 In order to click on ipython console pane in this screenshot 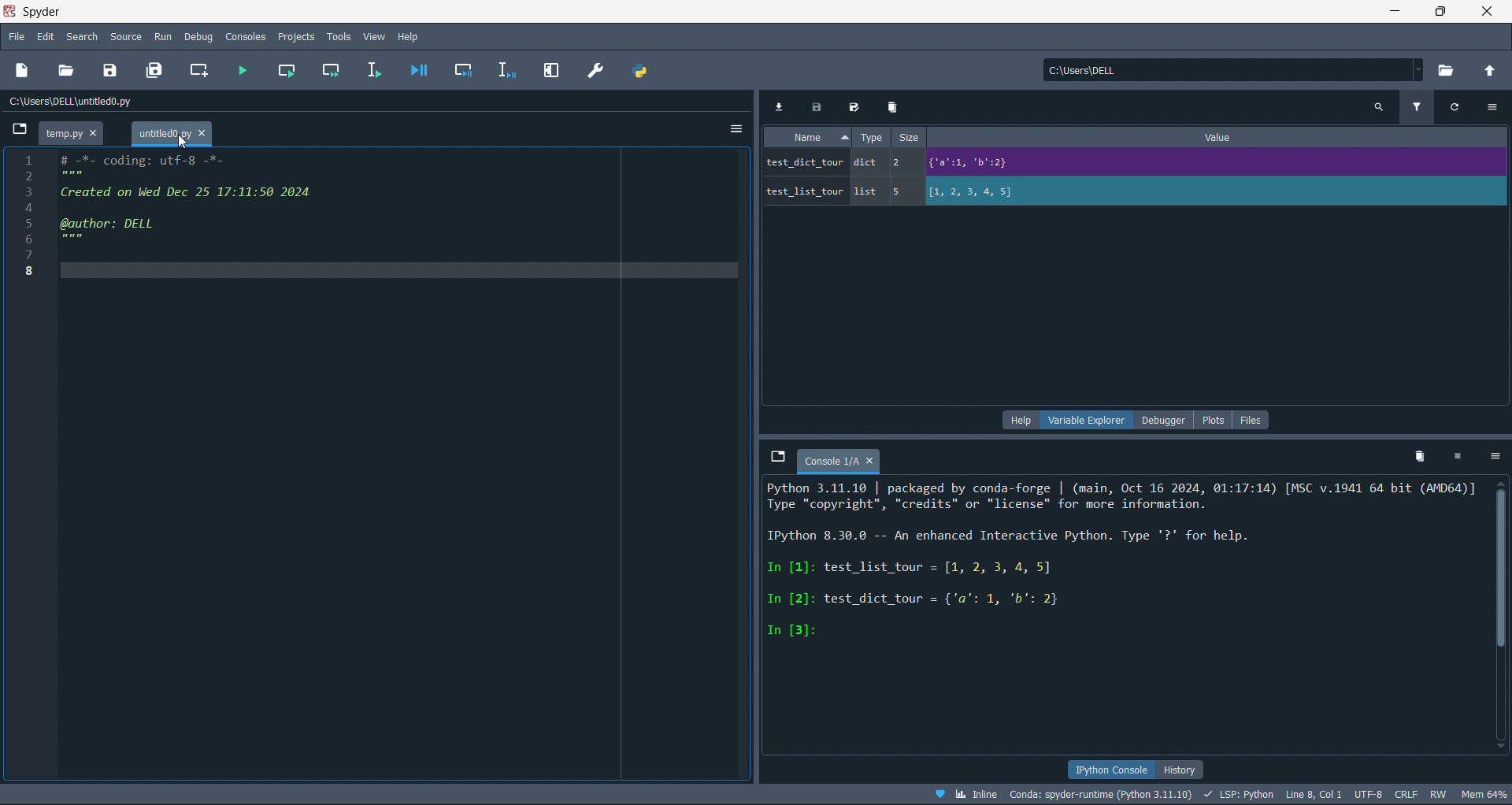, I will do `click(1105, 767)`.